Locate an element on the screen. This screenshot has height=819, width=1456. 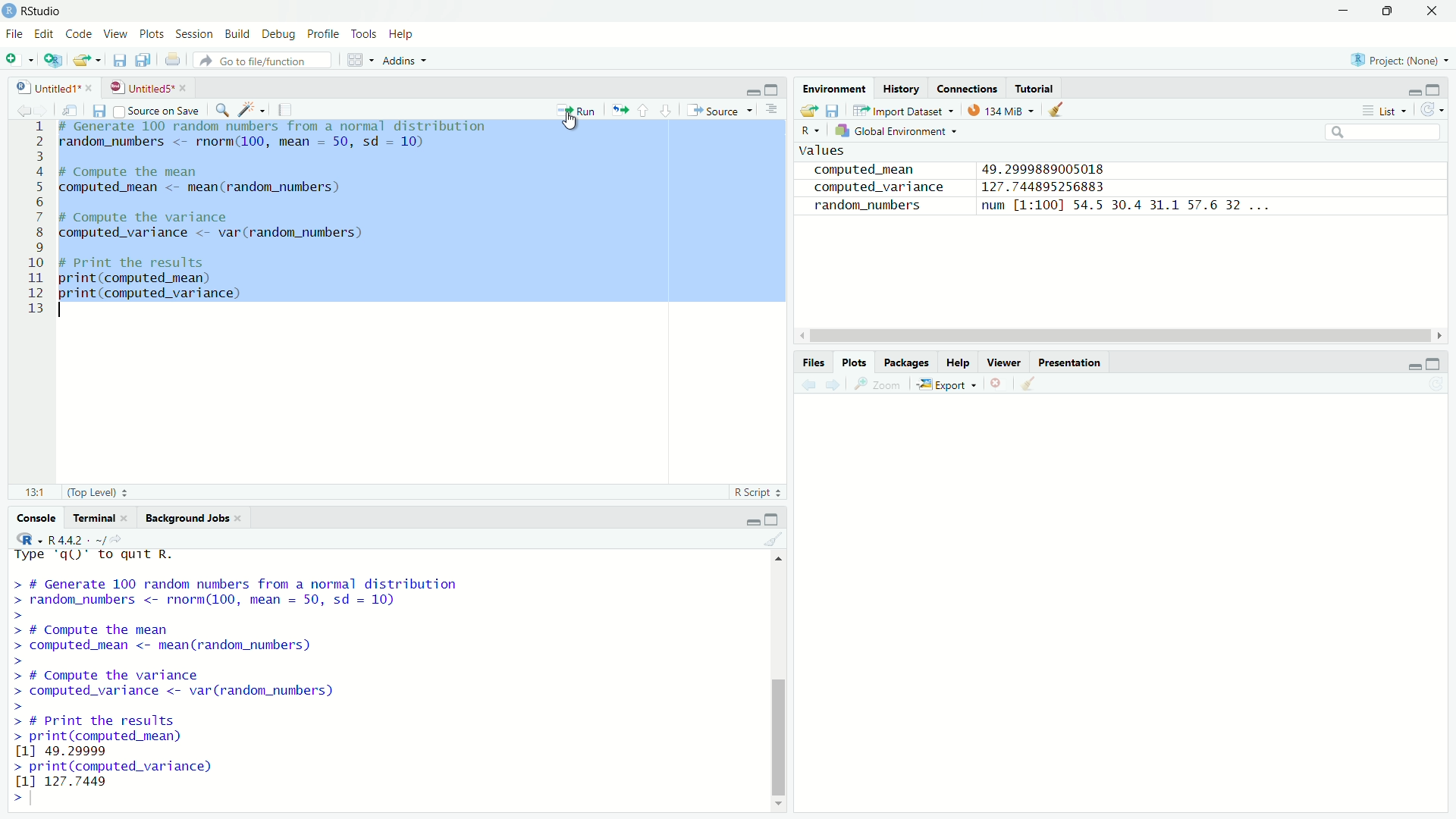
move right is located at coordinates (1441, 334).